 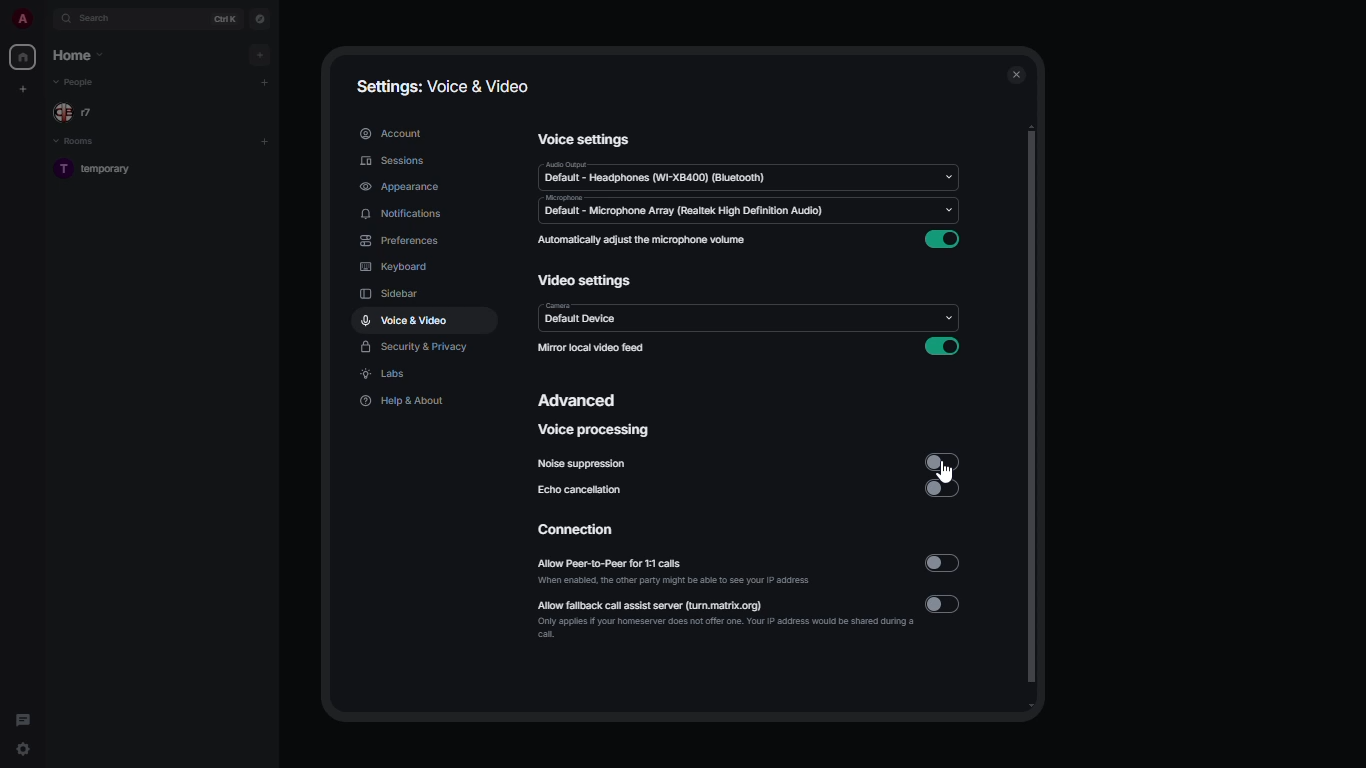 I want to click on home, so click(x=24, y=58).